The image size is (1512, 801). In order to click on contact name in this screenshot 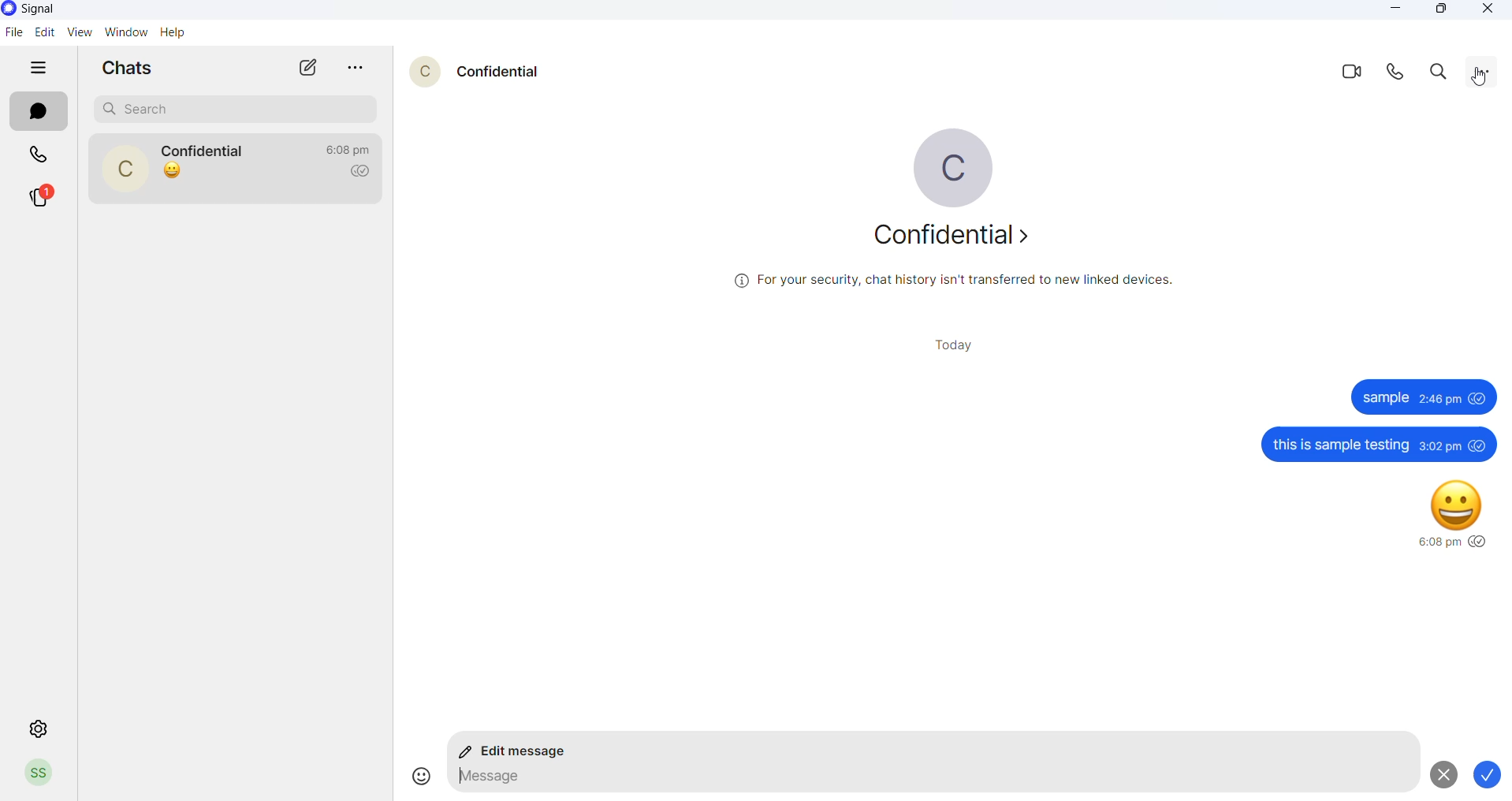, I will do `click(498, 70)`.